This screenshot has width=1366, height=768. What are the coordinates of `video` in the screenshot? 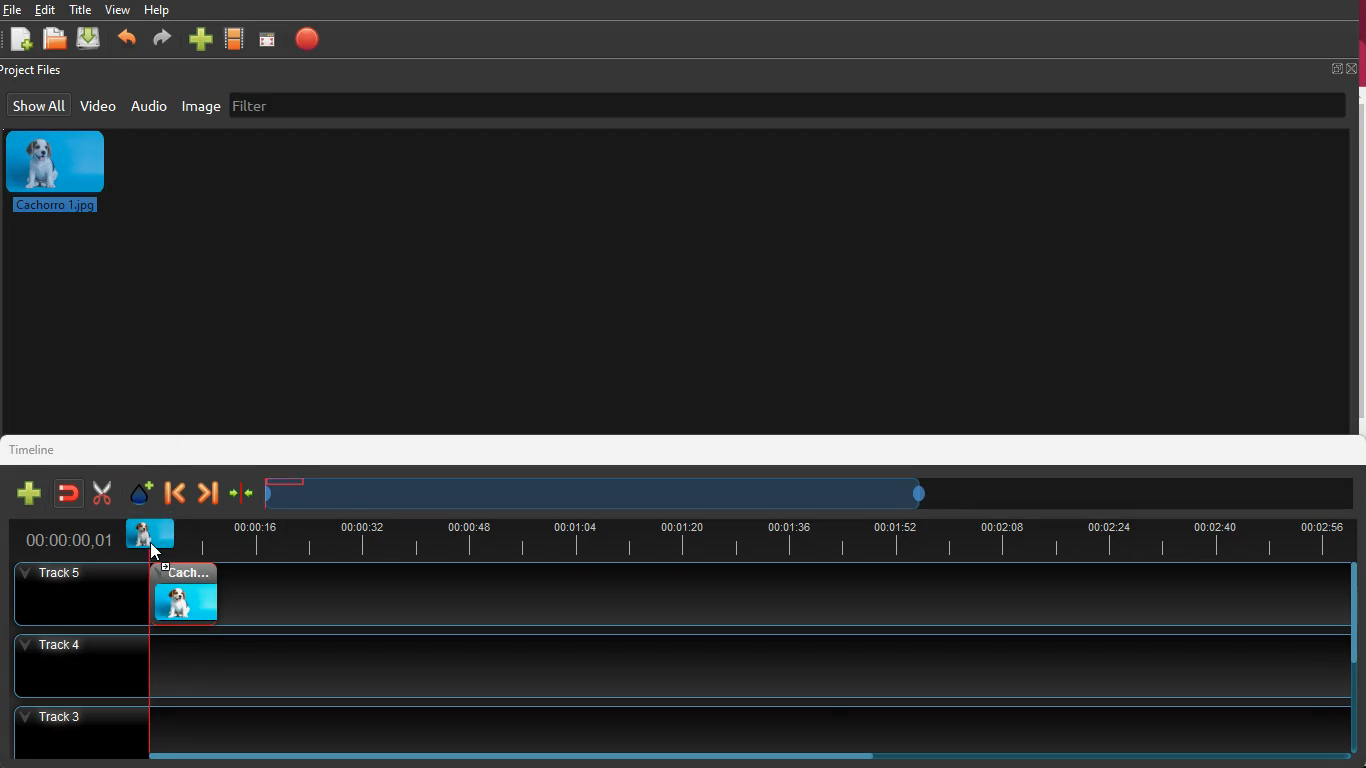 It's located at (184, 590).